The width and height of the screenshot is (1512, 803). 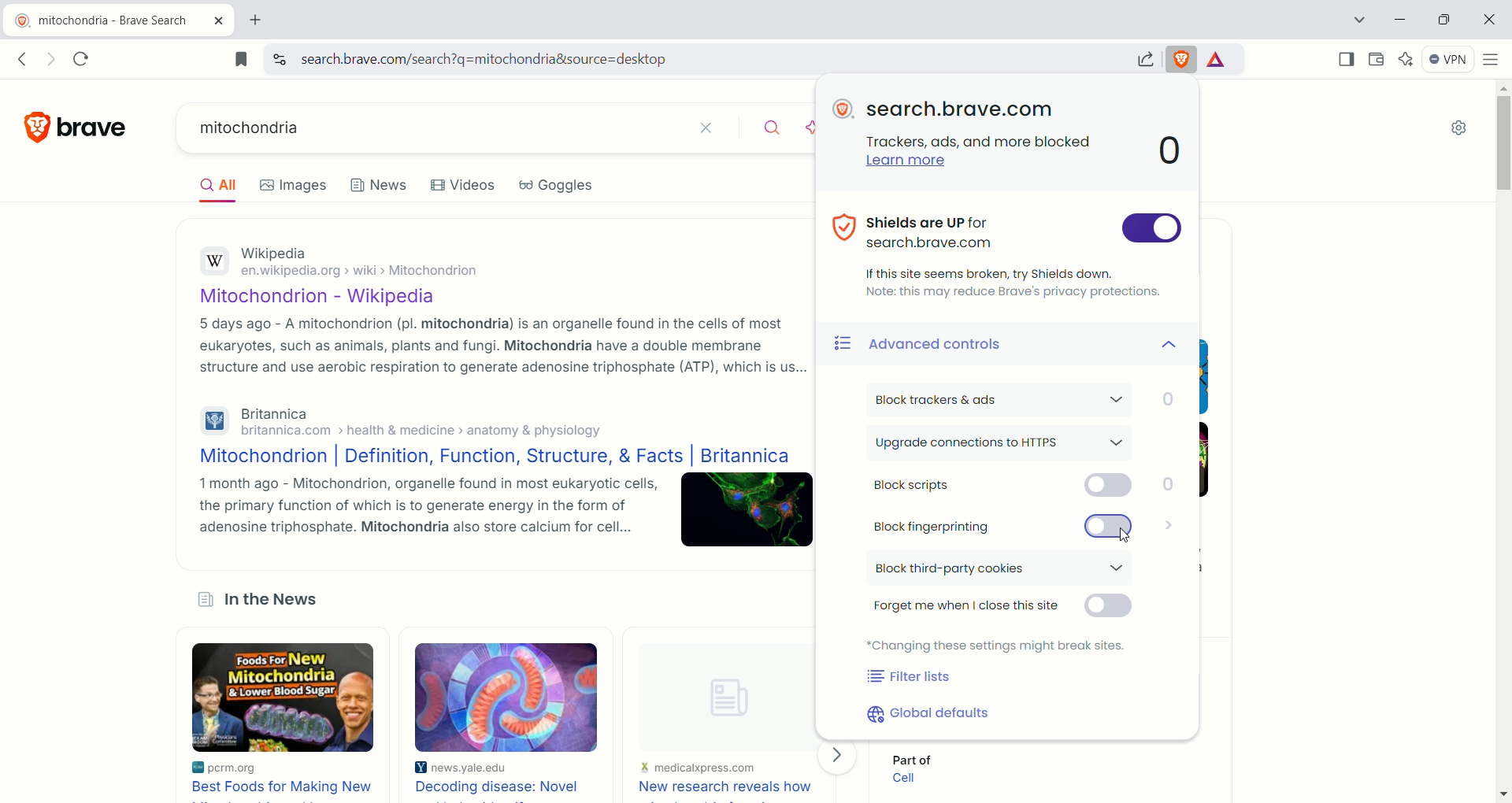 What do you see at coordinates (89, 129) in the screenshot?
I see `brave` at bounding box center [89, 129].